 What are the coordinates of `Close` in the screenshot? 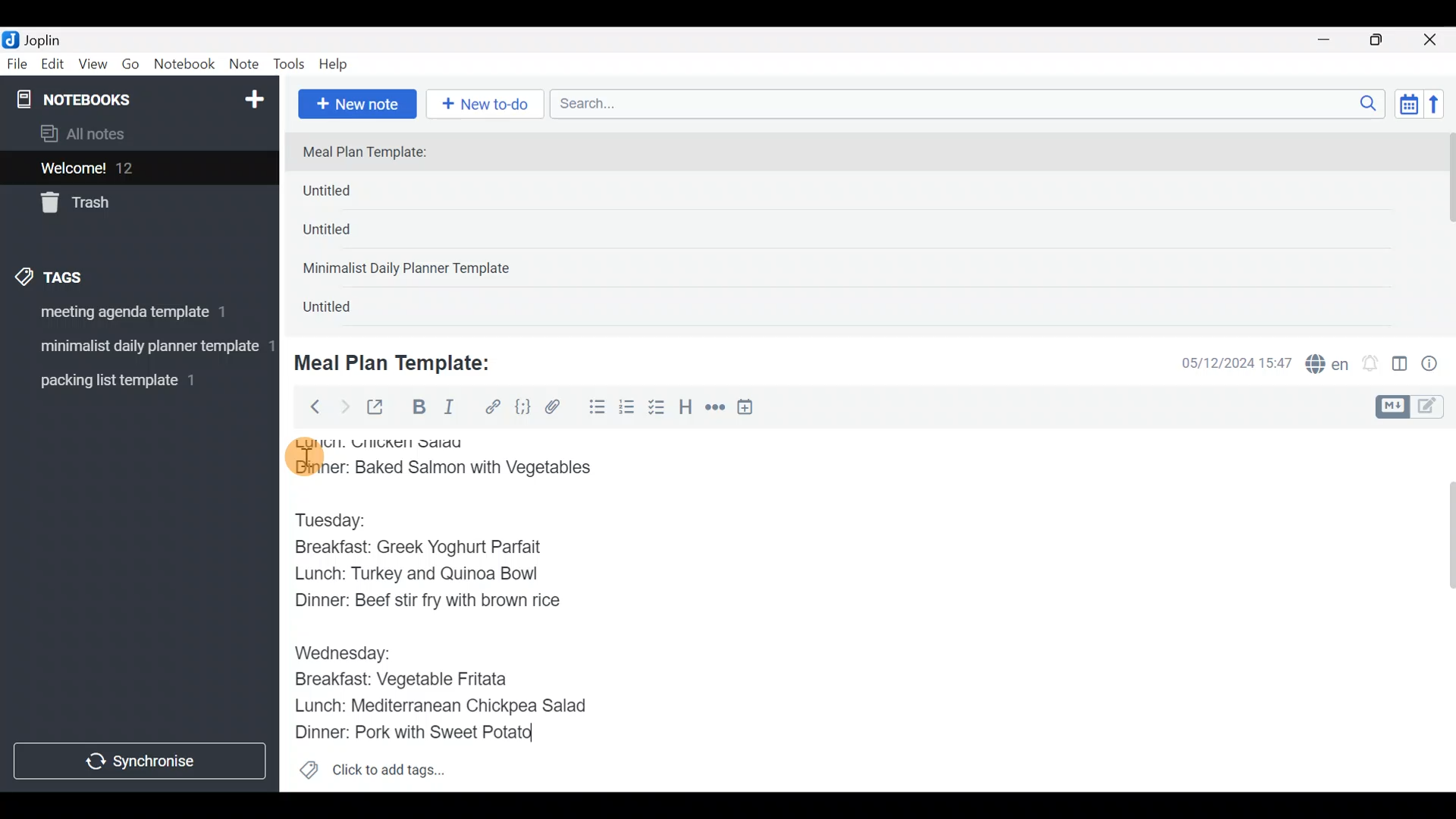 It's located at (1432, 41).